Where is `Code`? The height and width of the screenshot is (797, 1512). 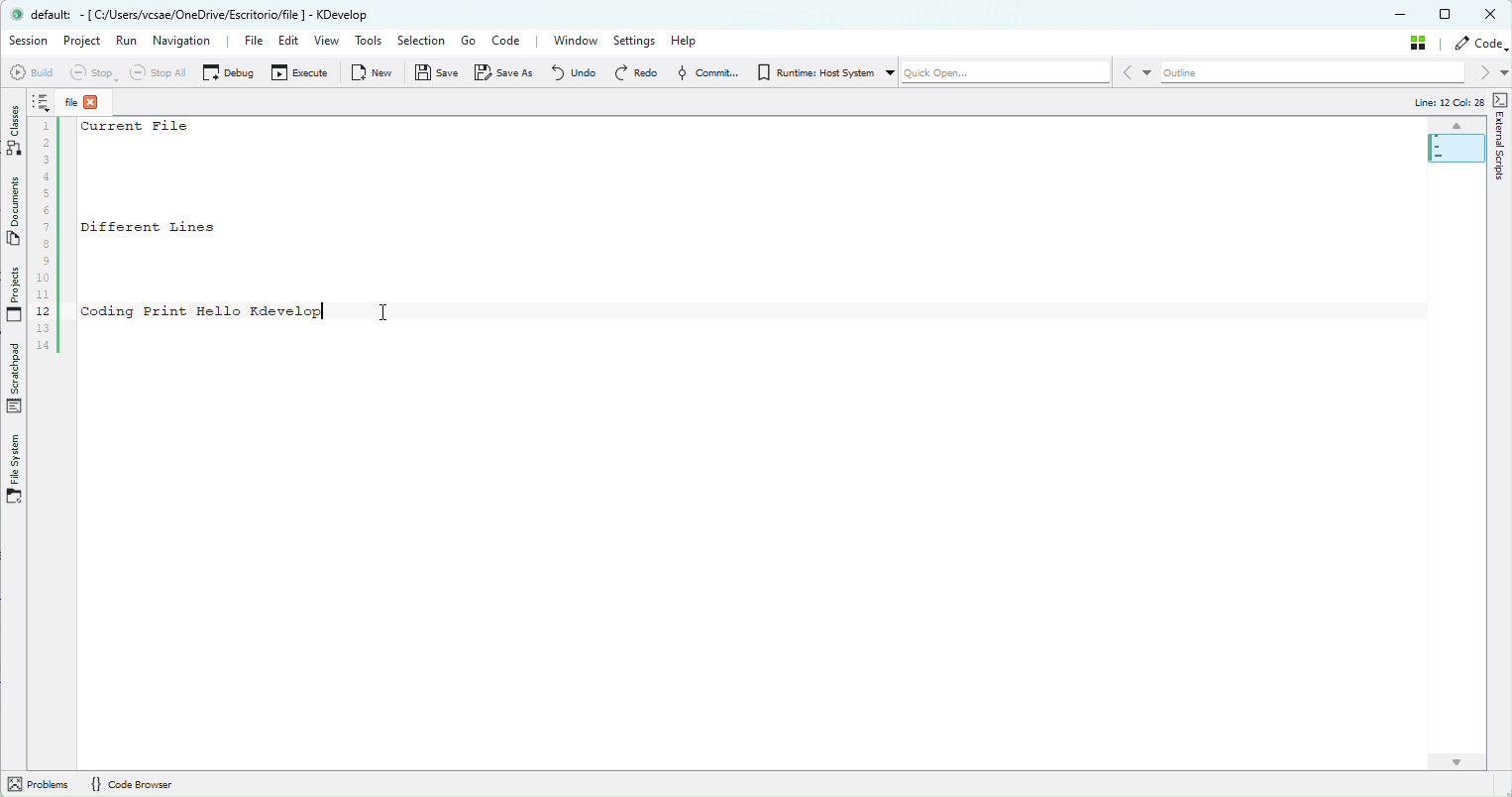 Code is located at coordinates (511, 41).